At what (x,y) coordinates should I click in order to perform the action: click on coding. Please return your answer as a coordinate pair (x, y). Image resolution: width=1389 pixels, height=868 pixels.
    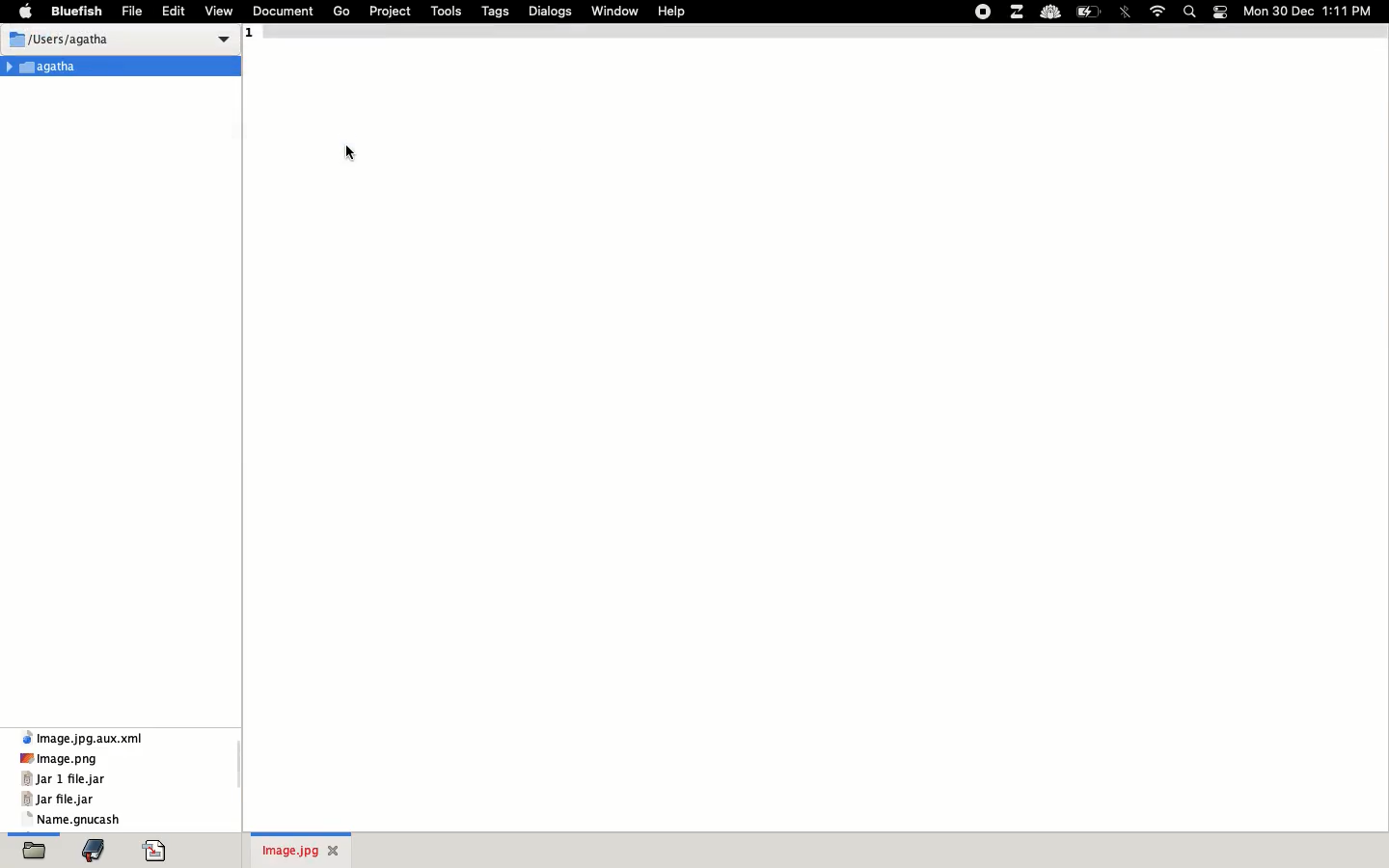
    Looking at the image, I should click on (160, 852).